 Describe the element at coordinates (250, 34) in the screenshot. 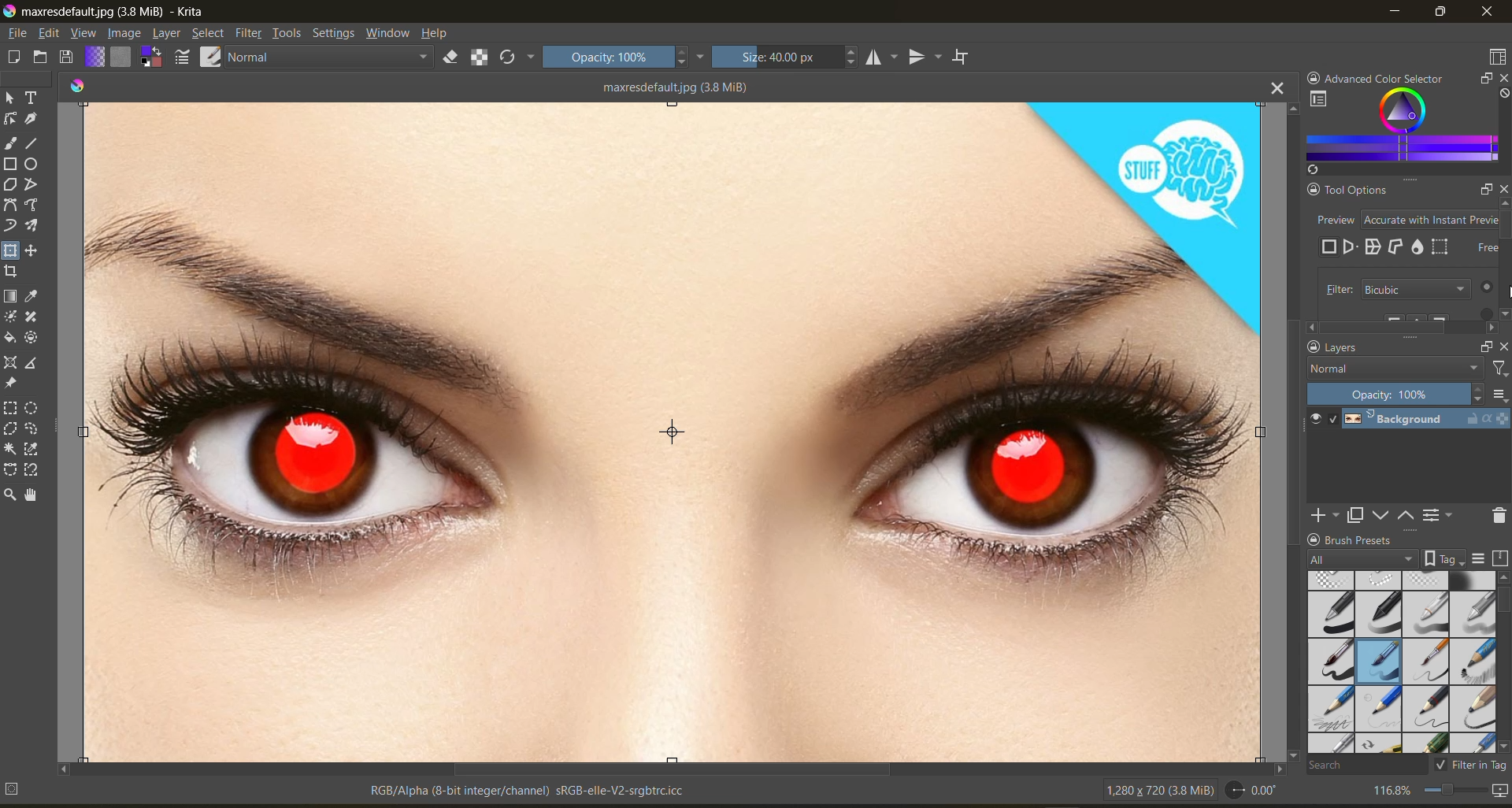

I see `filters` at that location.